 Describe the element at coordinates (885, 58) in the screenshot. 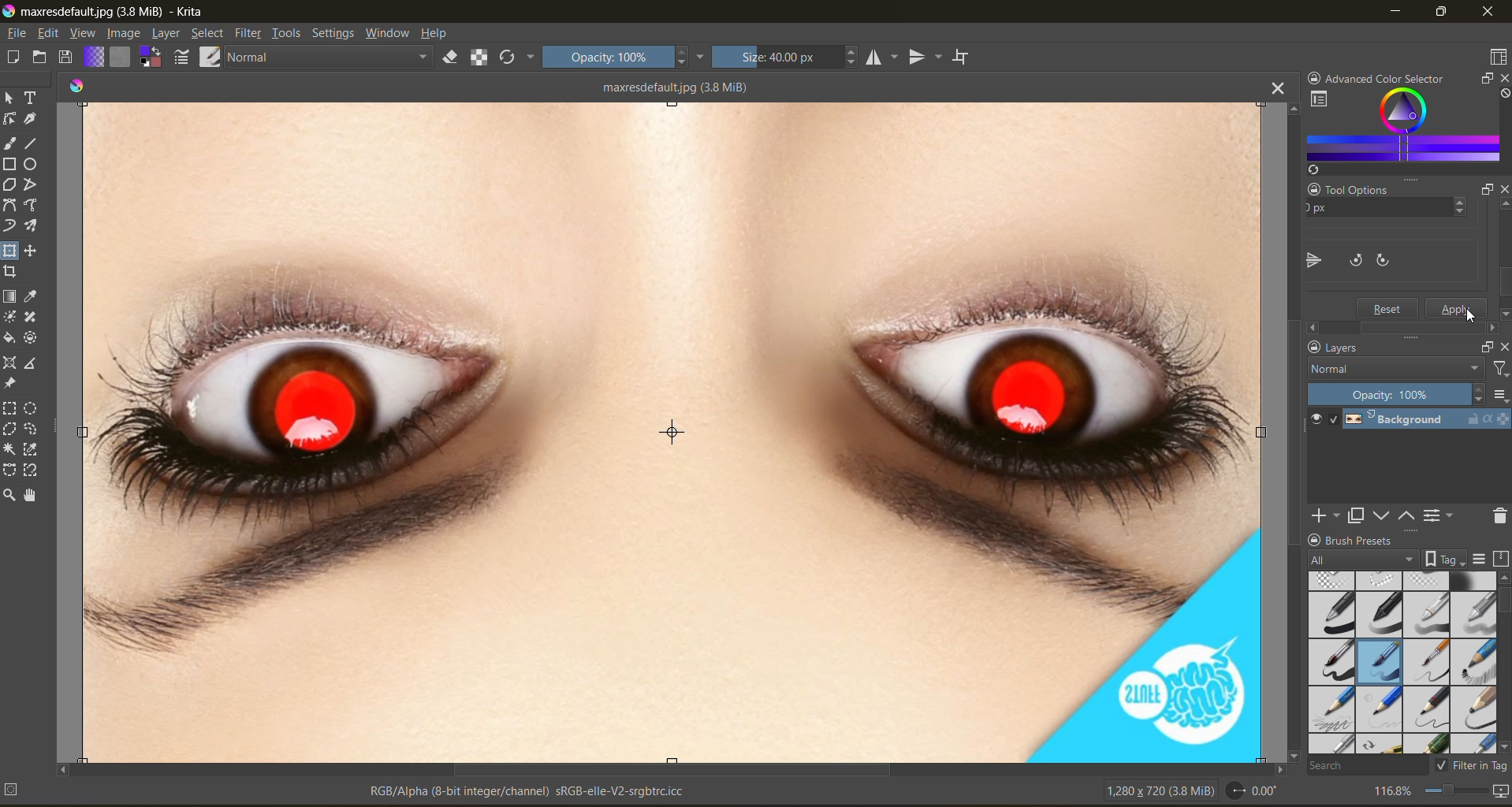

I see `horizontal mirror tool` at that location.